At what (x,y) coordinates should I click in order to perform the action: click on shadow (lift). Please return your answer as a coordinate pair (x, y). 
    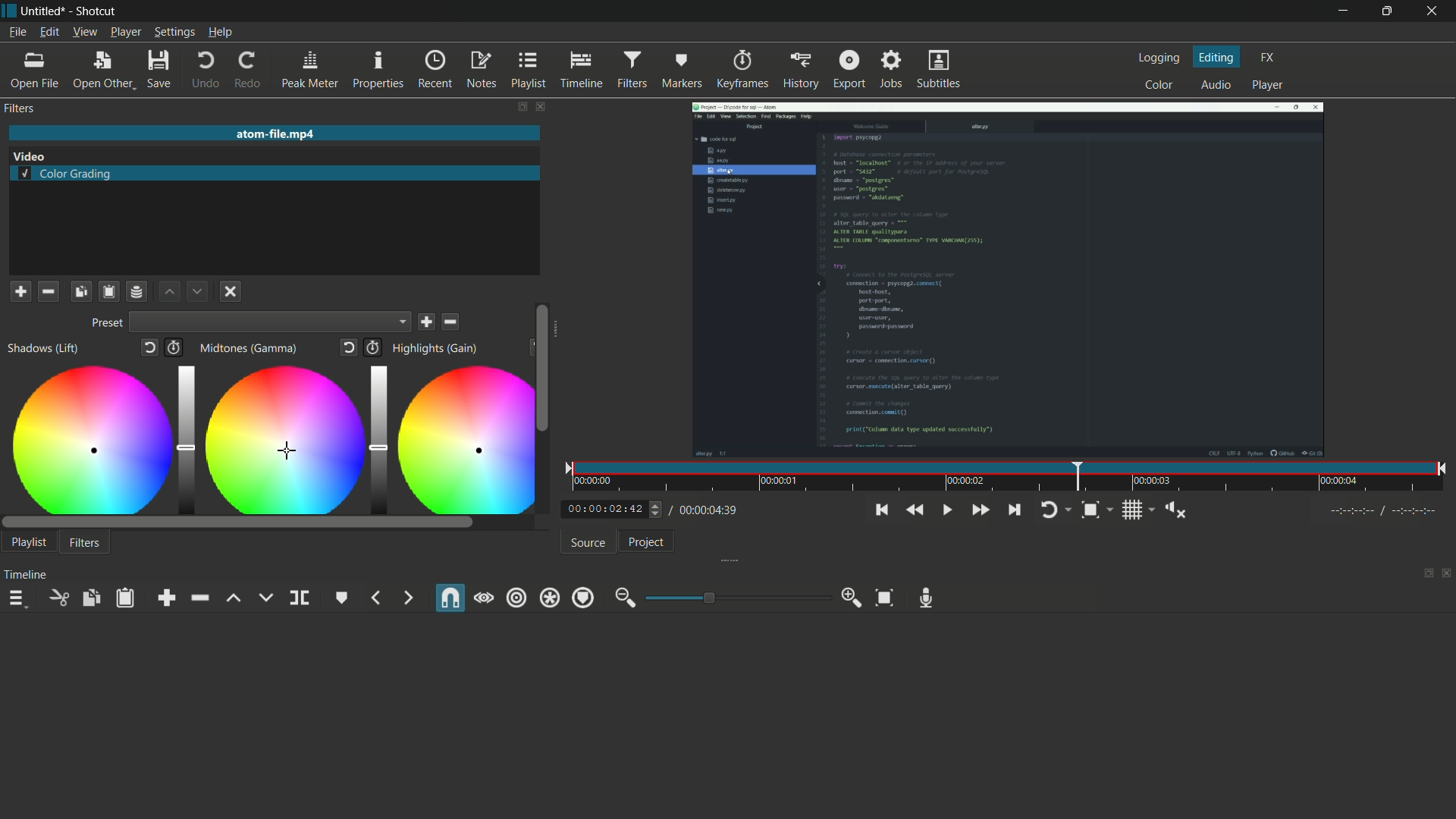
    Looking at the image, I should click on (43, 349).